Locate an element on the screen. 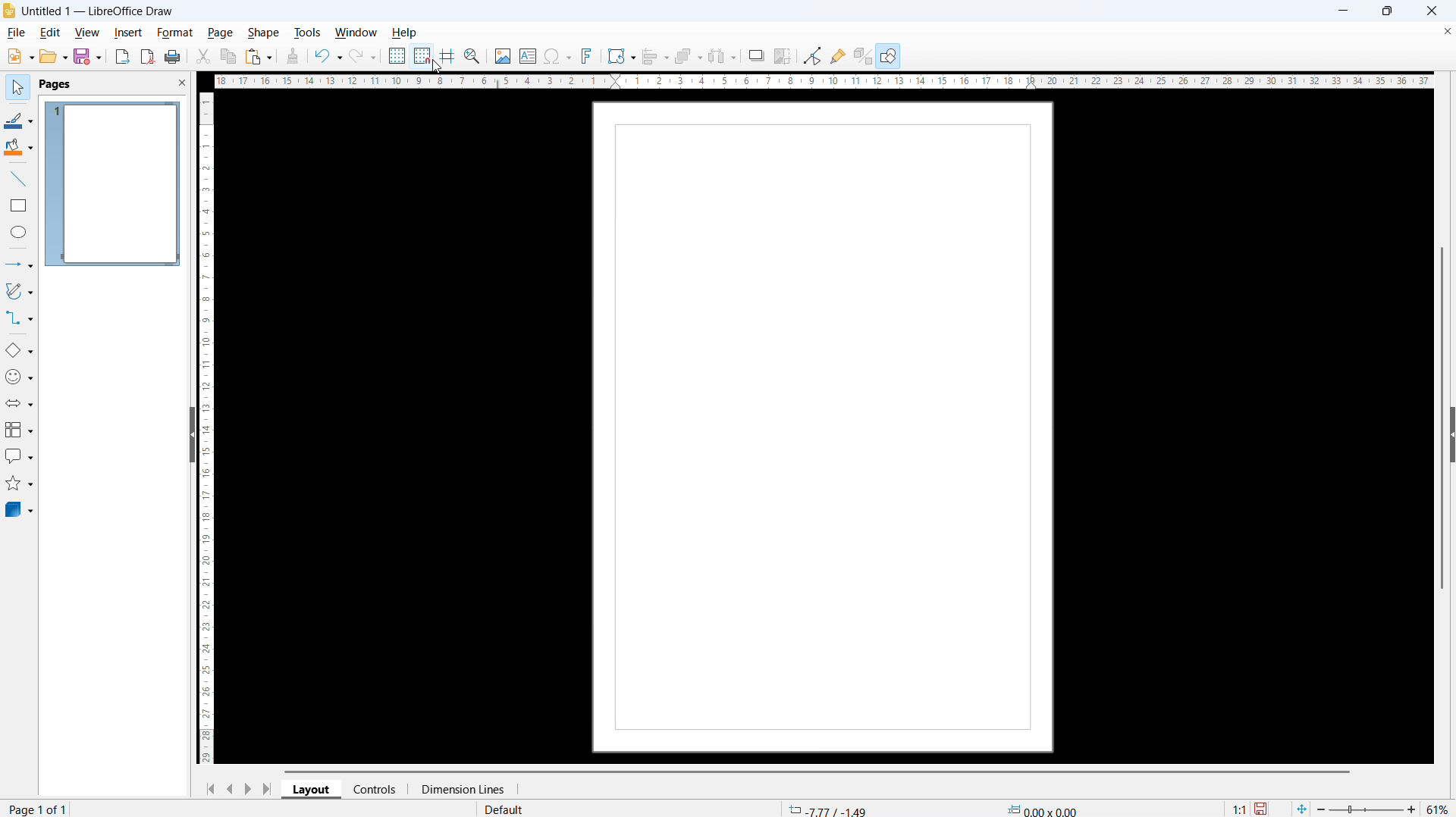  curves and polygons is located at coordinates (20, 291).